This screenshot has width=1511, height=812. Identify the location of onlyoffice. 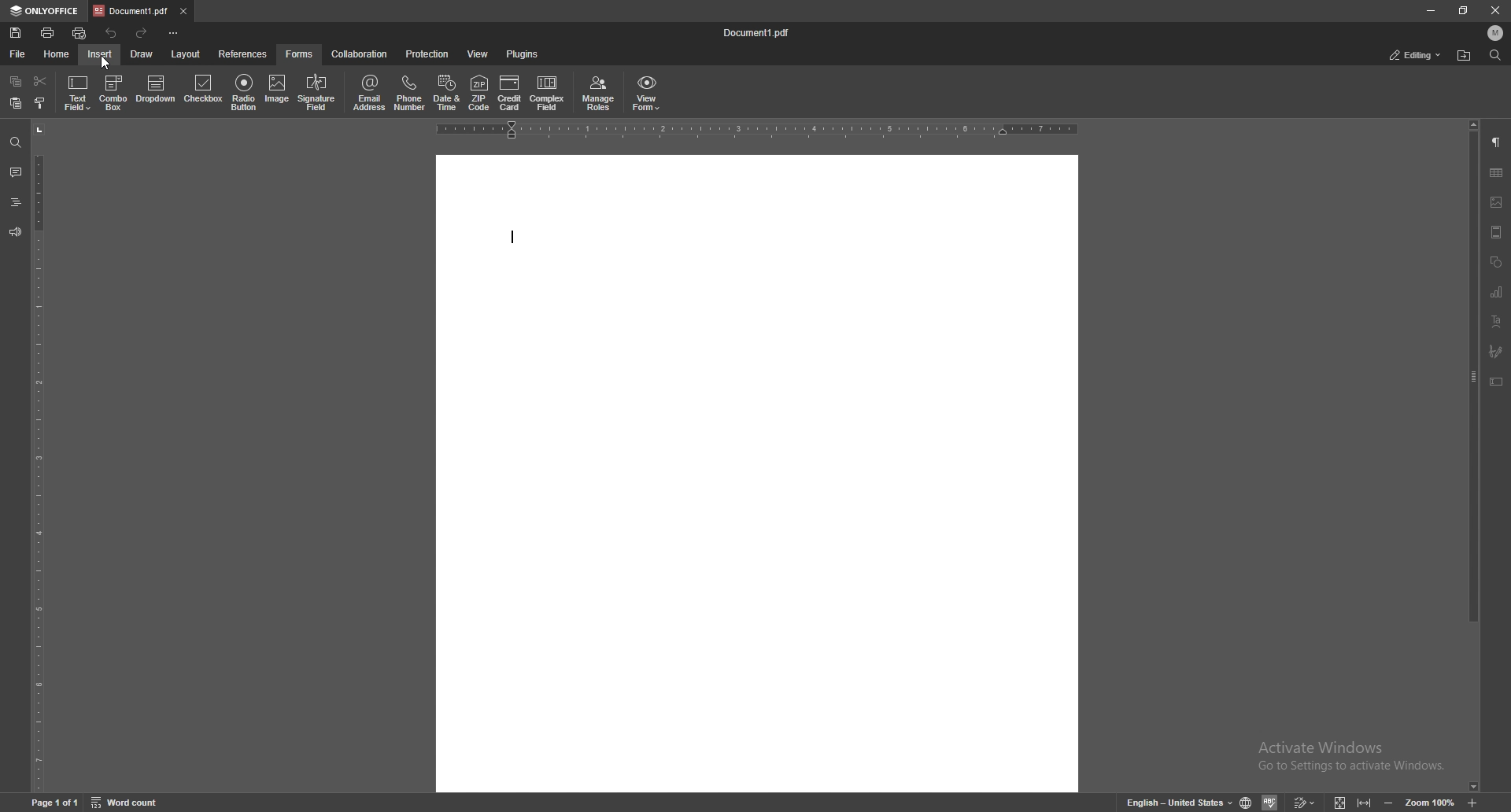
(45, 12).